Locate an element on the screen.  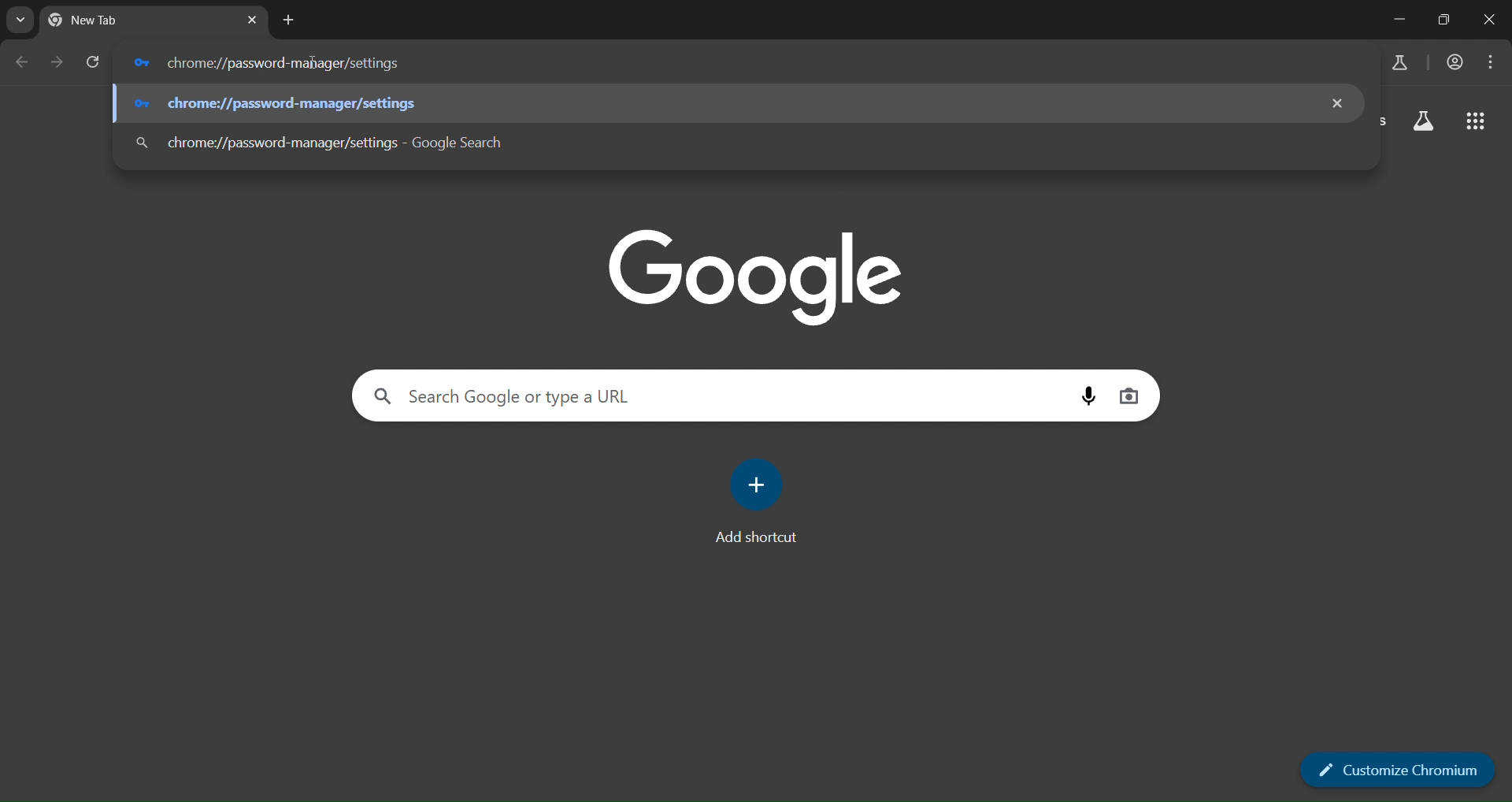
new tab is located at coordinates (287, 24).